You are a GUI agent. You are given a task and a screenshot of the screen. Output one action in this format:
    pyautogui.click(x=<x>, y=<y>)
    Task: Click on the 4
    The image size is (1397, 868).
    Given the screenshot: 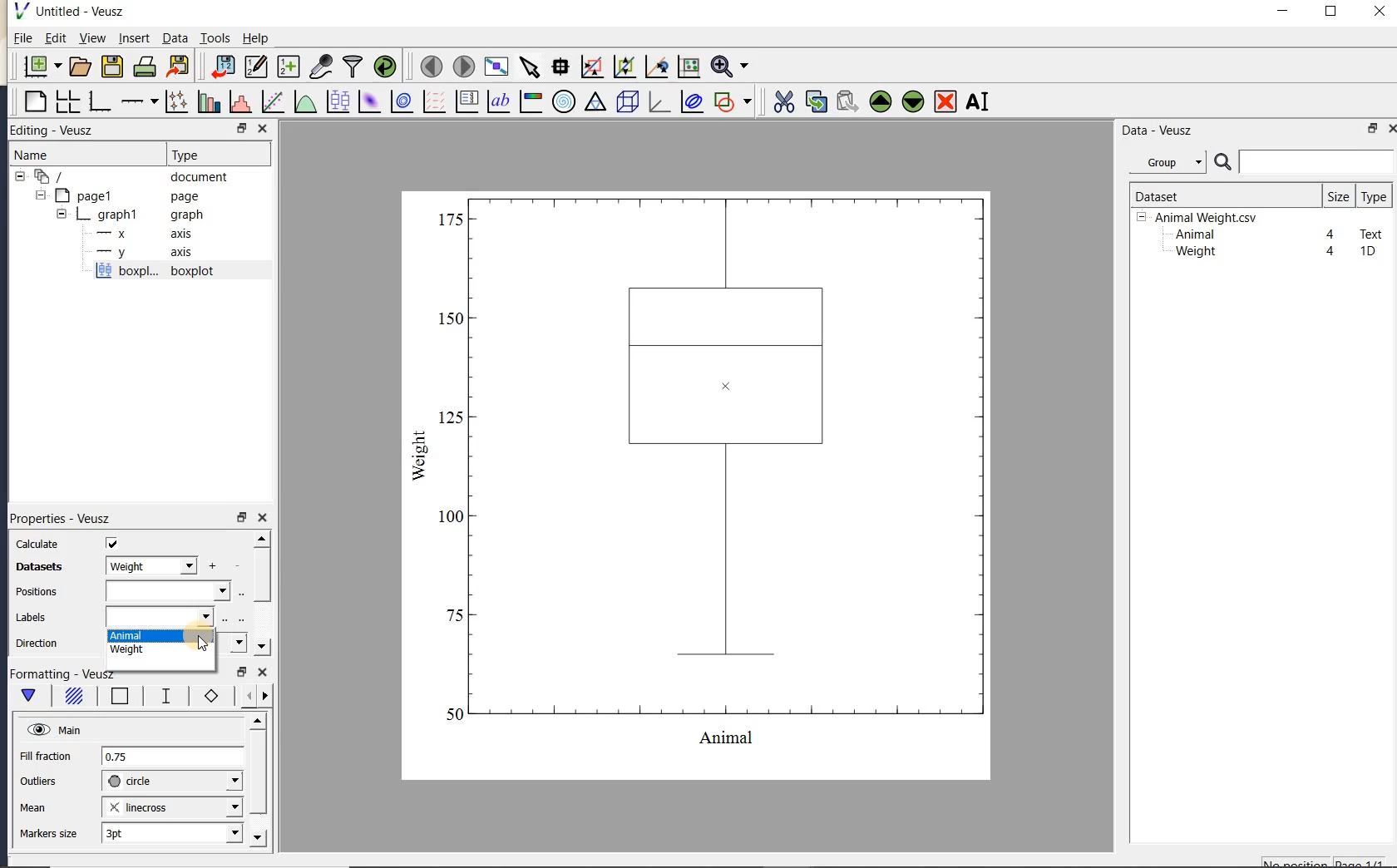 What is the action you would take?
    pyautogui.click(x=1331, y=235)
    